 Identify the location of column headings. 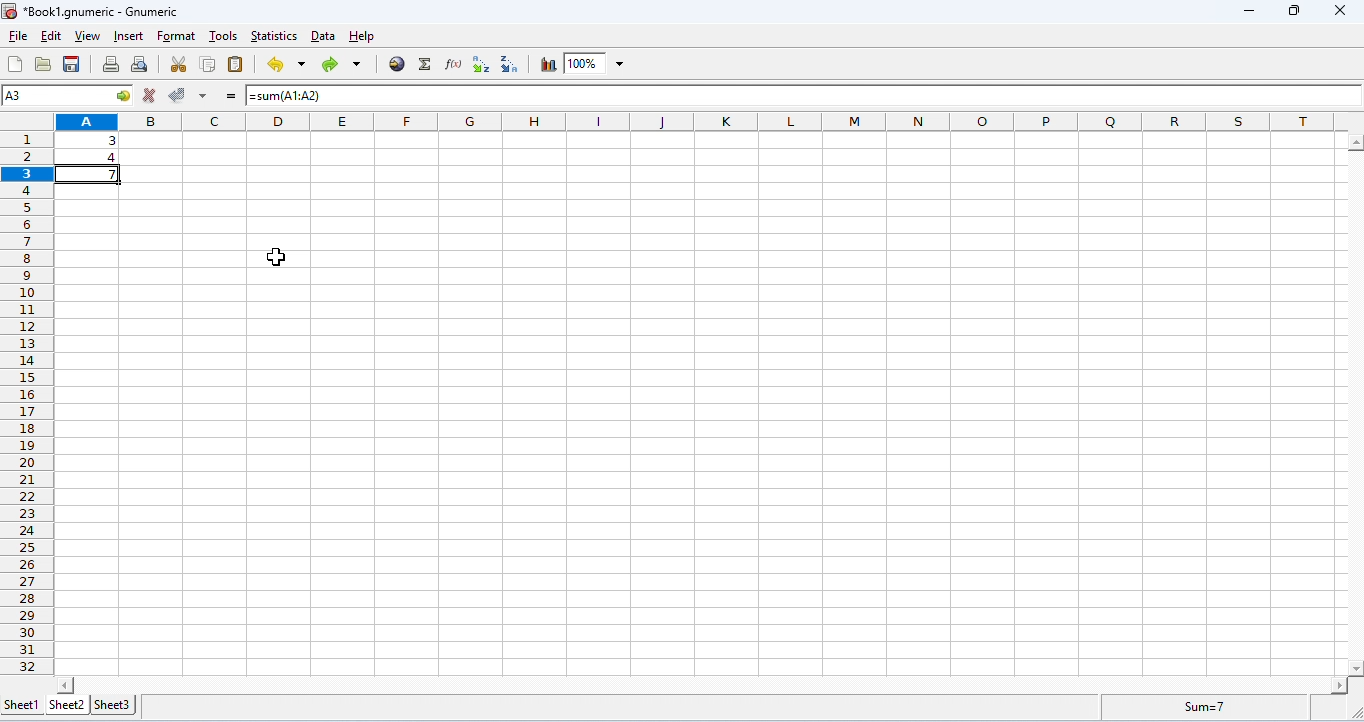
(699, 121).